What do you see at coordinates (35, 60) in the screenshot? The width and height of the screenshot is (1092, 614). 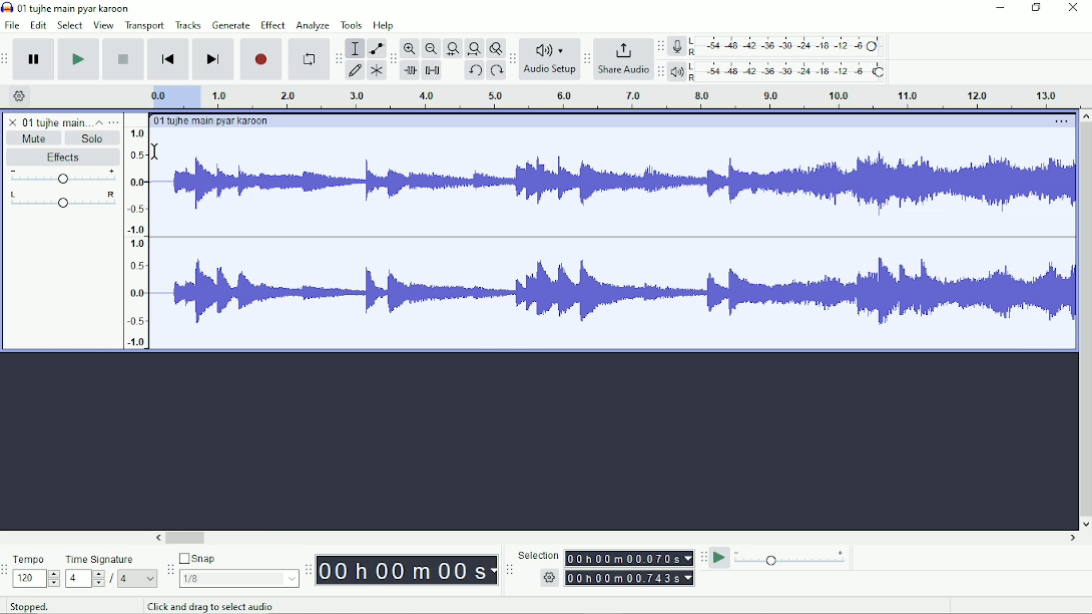 I see `Pause` at bounding box center [35, 60].